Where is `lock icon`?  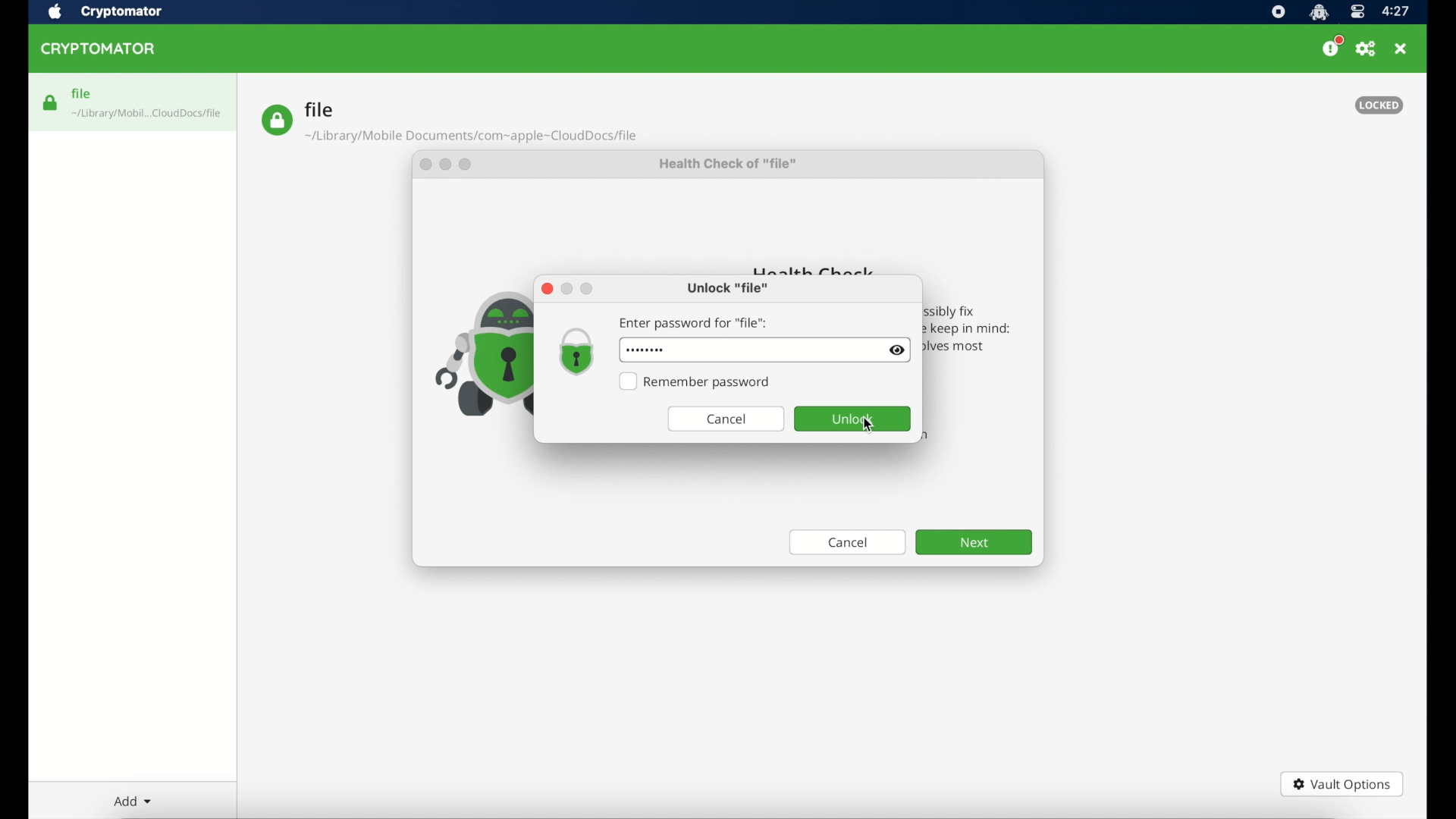 lock icon is located at coordinates (575, 352).